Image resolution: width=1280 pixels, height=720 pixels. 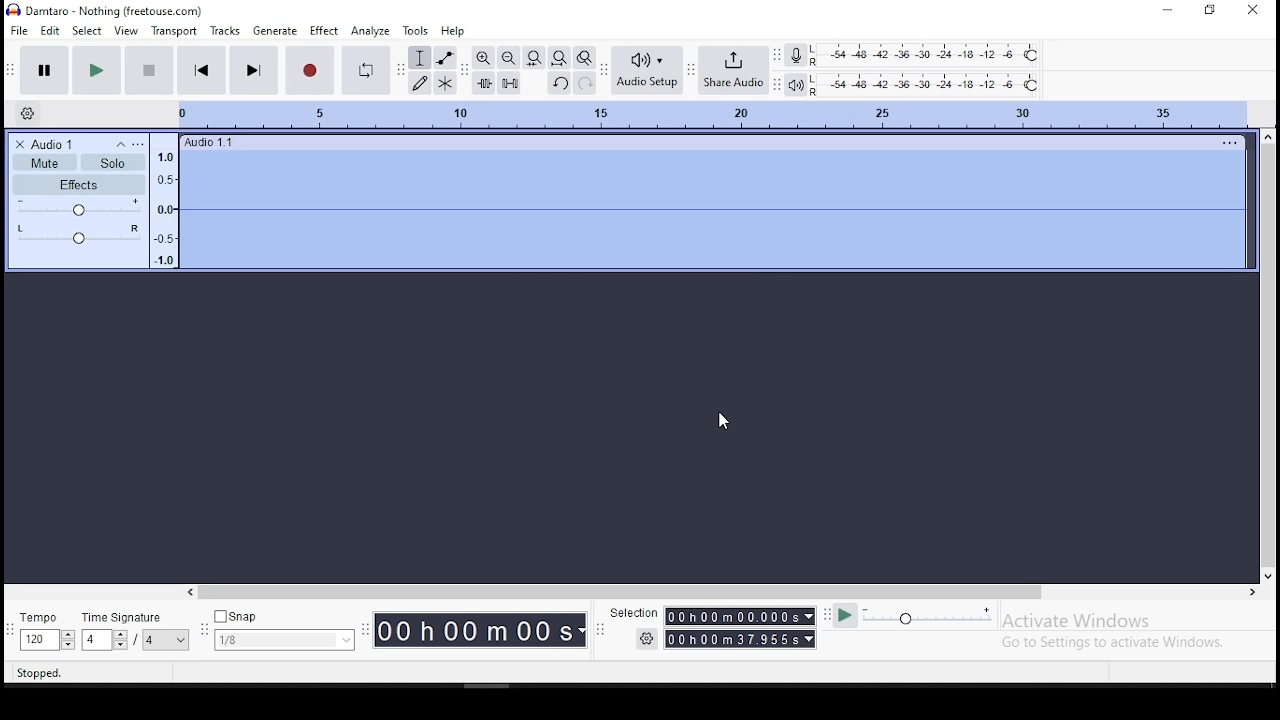 What do you see at coordinates (129, 143) in the screenshot?
I see `Settings` at bounding box center [129, 143].